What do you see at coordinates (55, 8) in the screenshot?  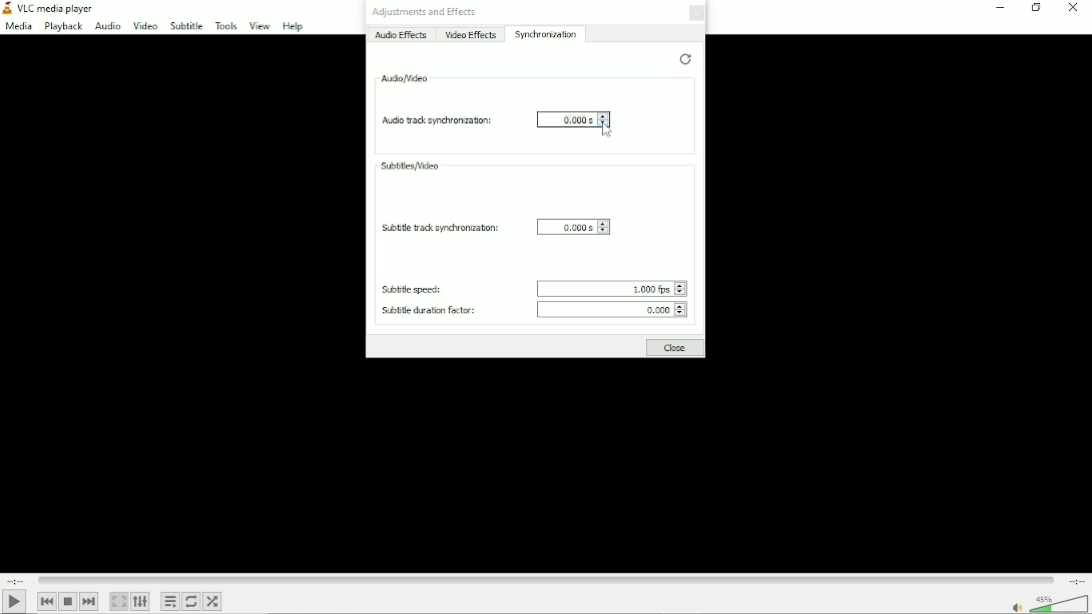 I see `Title` at bounding box center [55, 8].